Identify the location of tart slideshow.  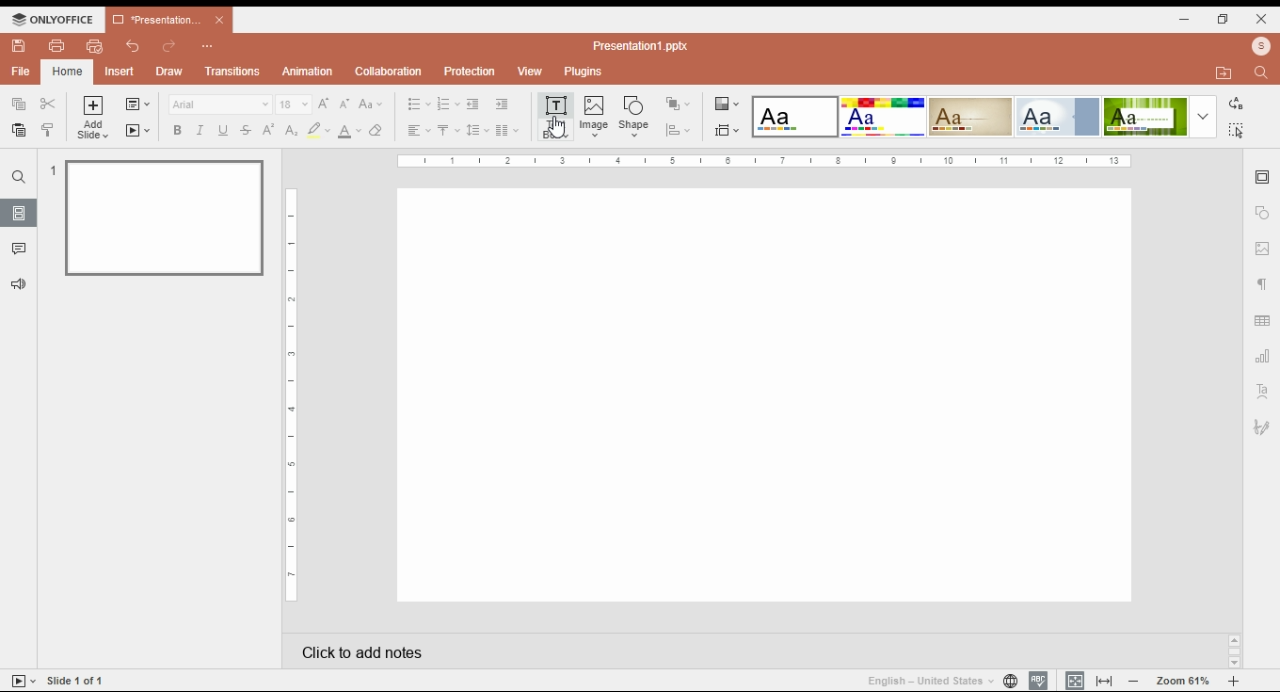
(24, 680).